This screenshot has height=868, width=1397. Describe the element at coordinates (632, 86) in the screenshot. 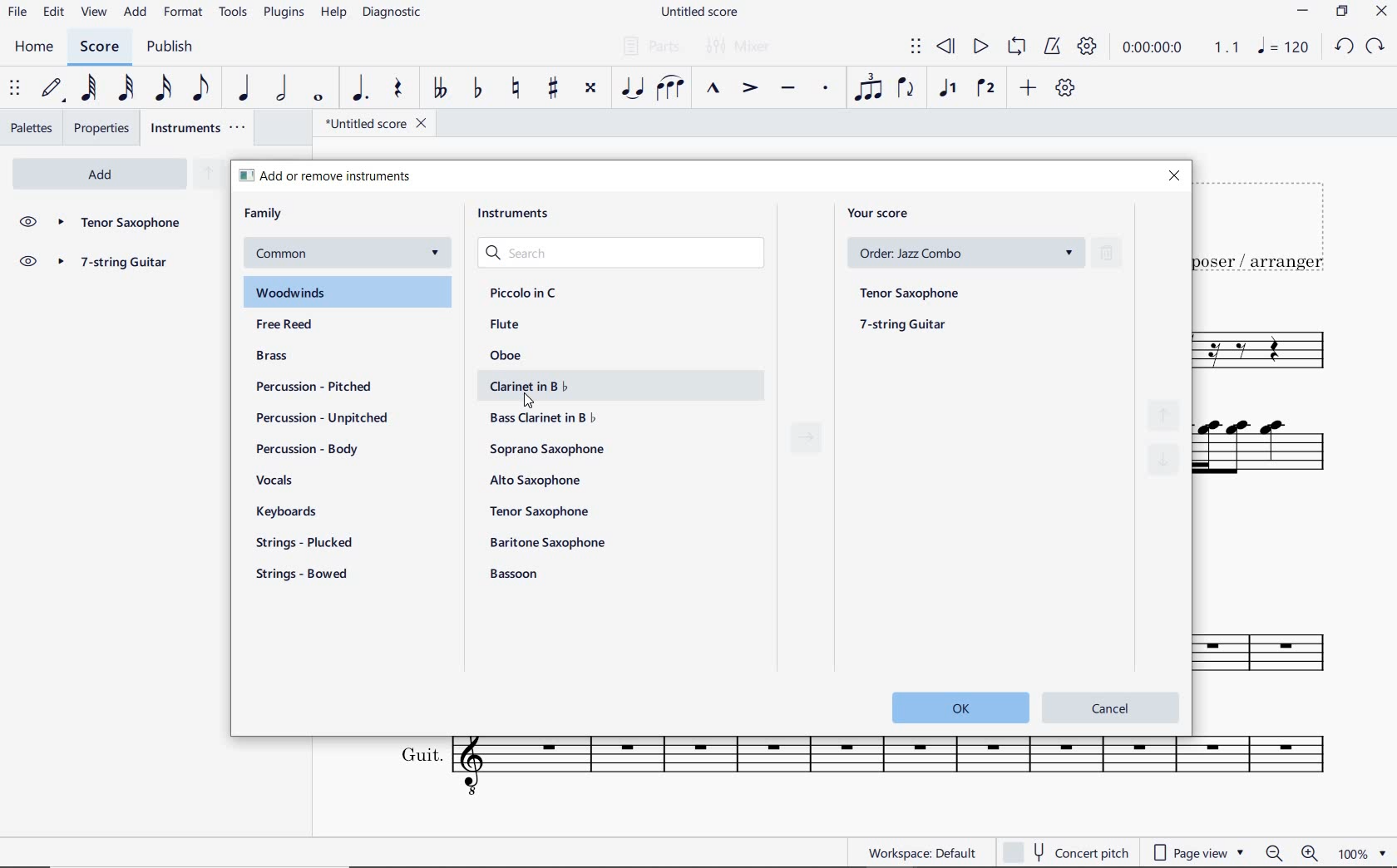

I see `TIE` at that location.